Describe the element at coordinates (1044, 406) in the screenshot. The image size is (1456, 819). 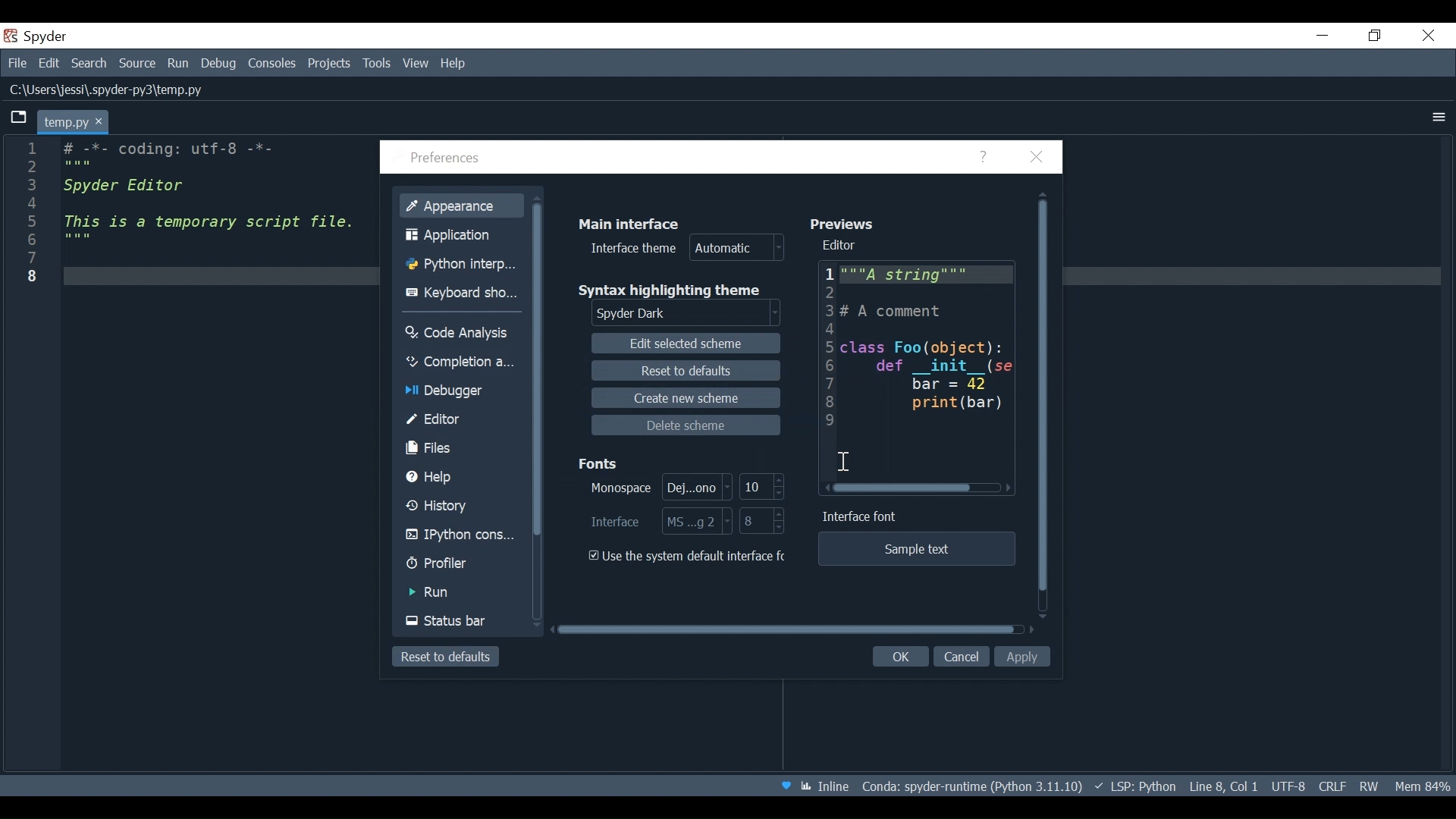
I see `Vertical Scroll bar` at that location.